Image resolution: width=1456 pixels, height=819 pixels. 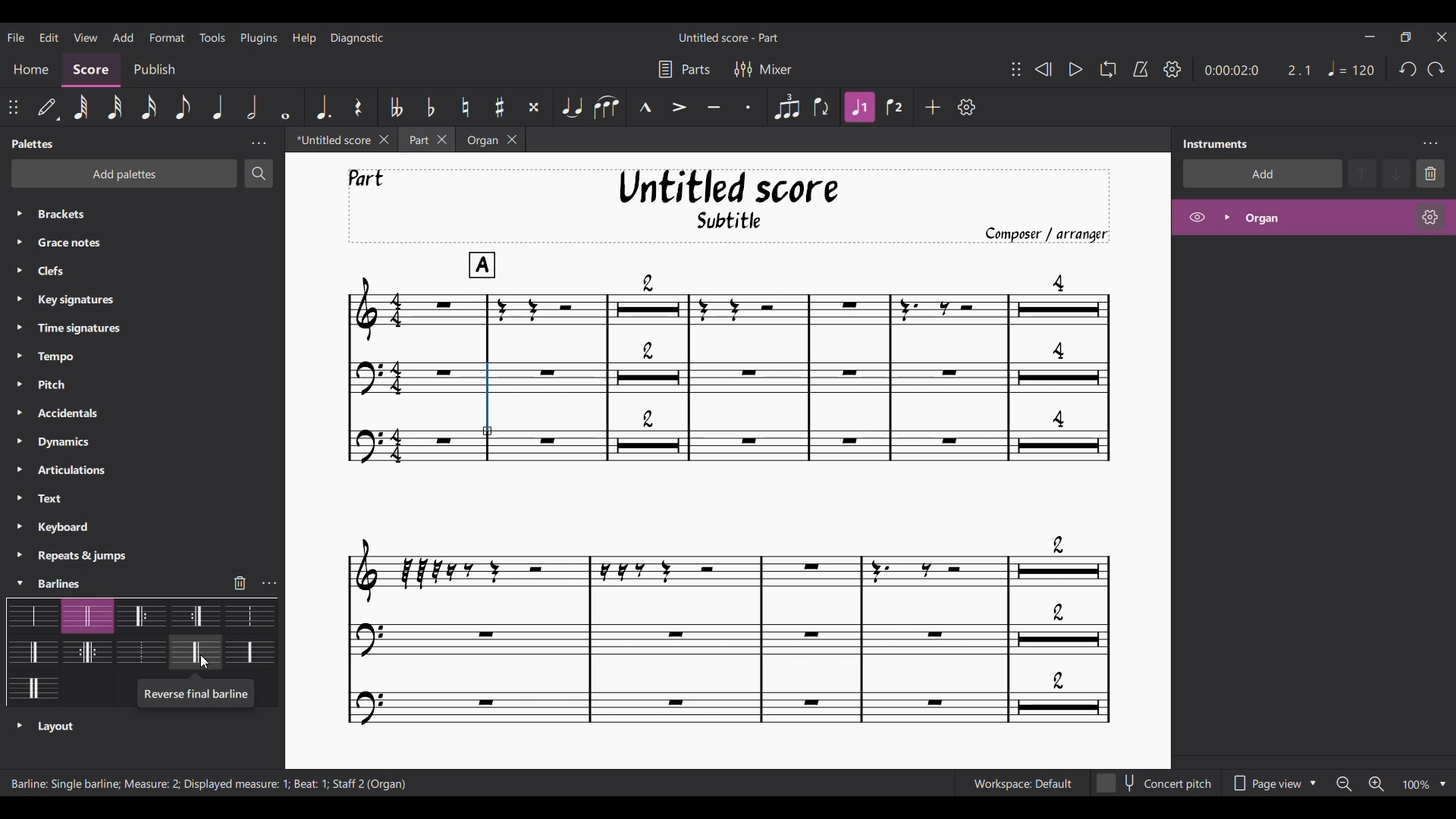 I want to click on Move selection down, so click(x=1396, y=174).